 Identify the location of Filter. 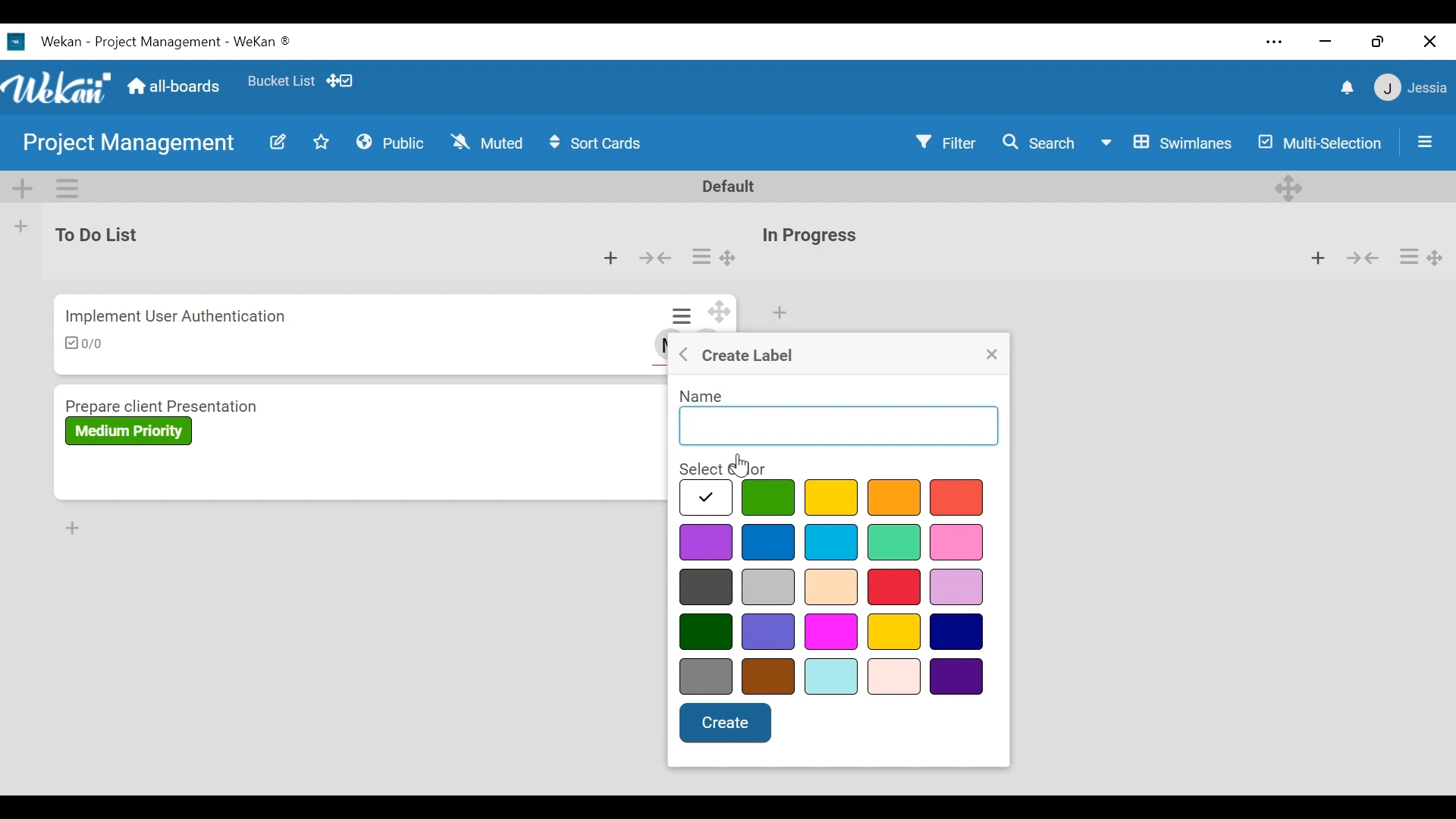
(948, 142).